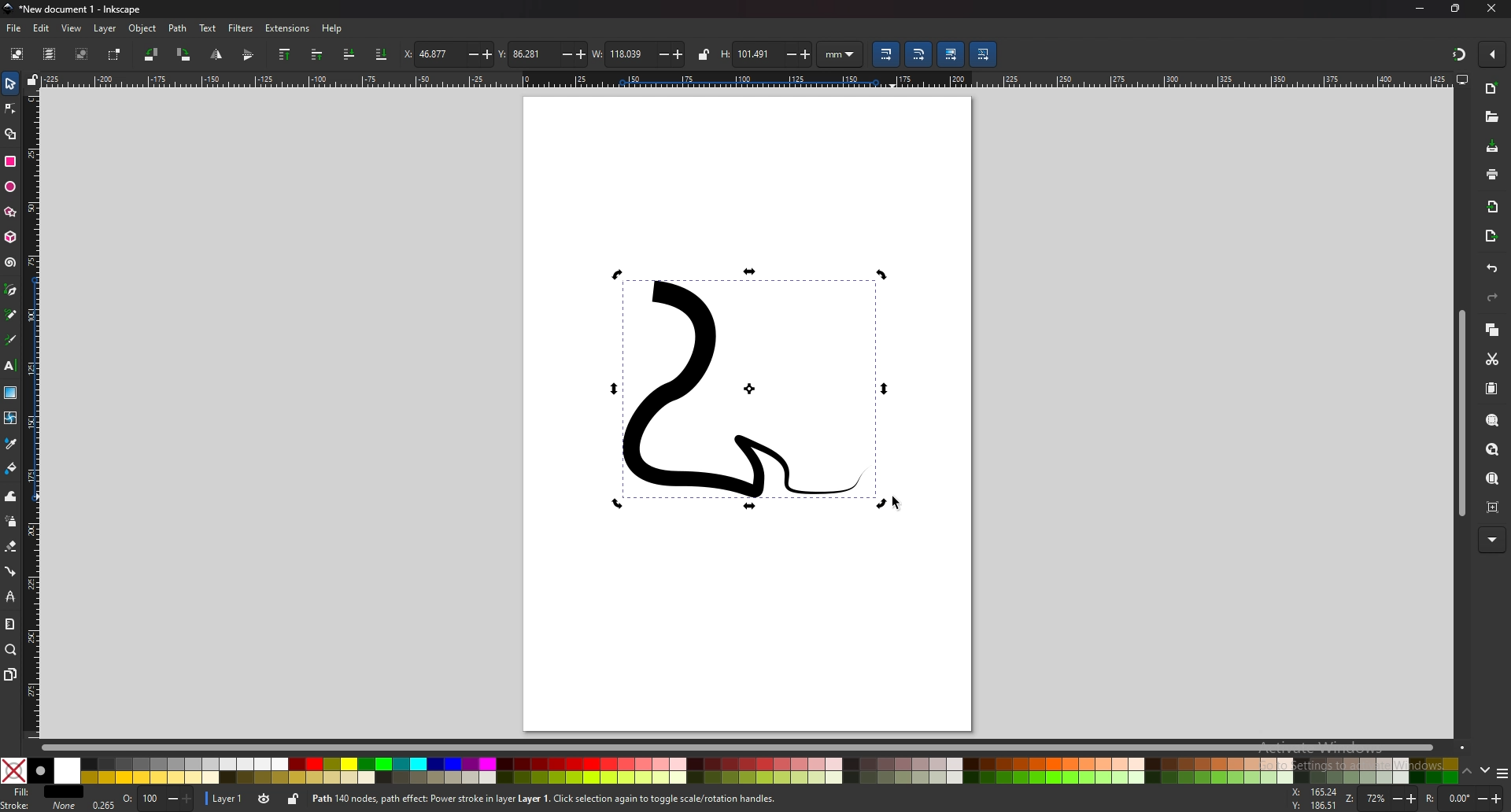 This screenshot has width=1511, height=812. I want to click on deselect, so click(83, 54).